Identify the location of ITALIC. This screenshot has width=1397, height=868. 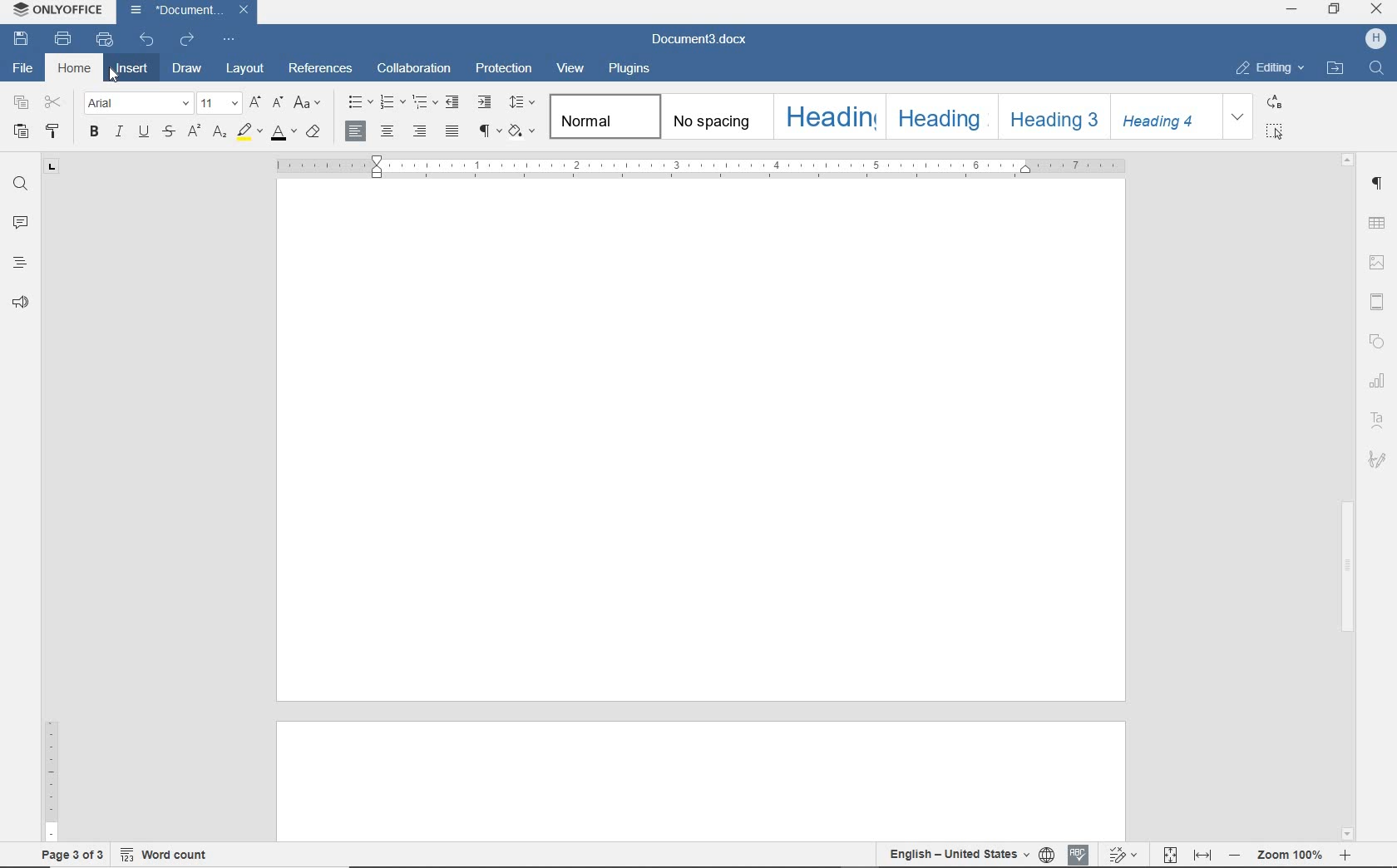
(119, 133).